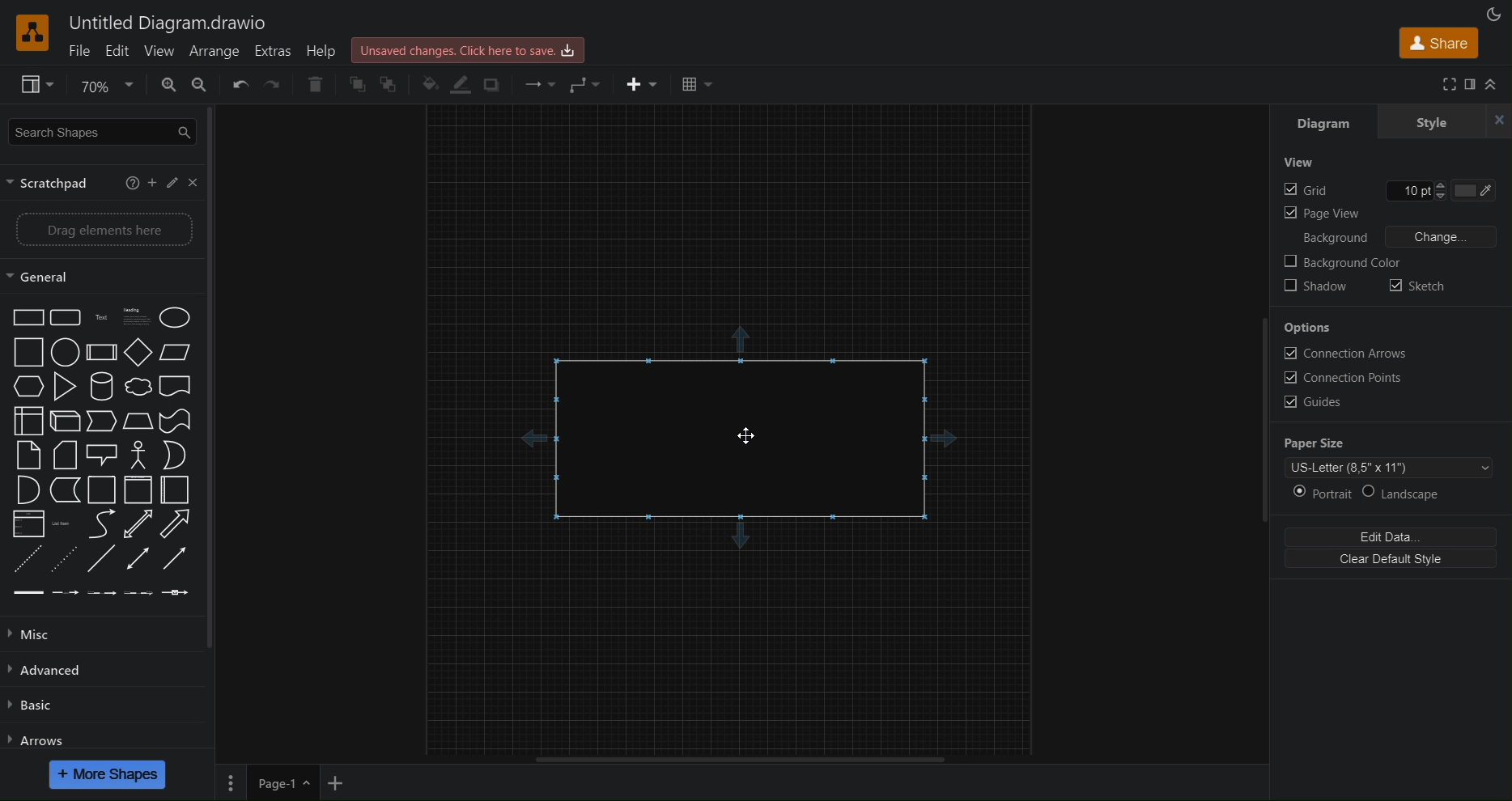 The height and width of the screenshot is (801, 1512). Describe the element at coordinates (46, 634) in the screenshot. I see `Misc` at that location.